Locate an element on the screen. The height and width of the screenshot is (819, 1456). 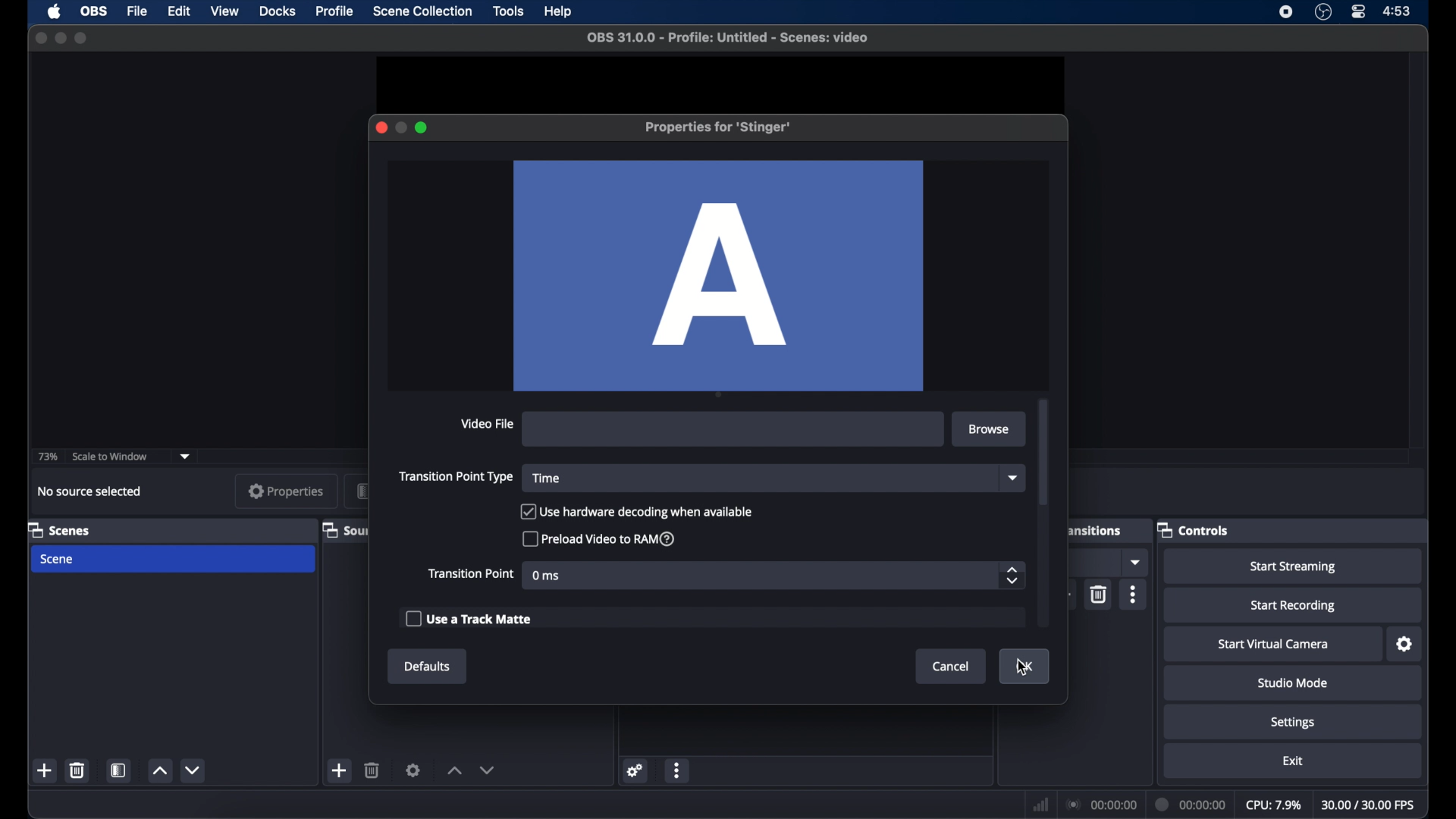
scale to window is located at coordinates (112, 457).